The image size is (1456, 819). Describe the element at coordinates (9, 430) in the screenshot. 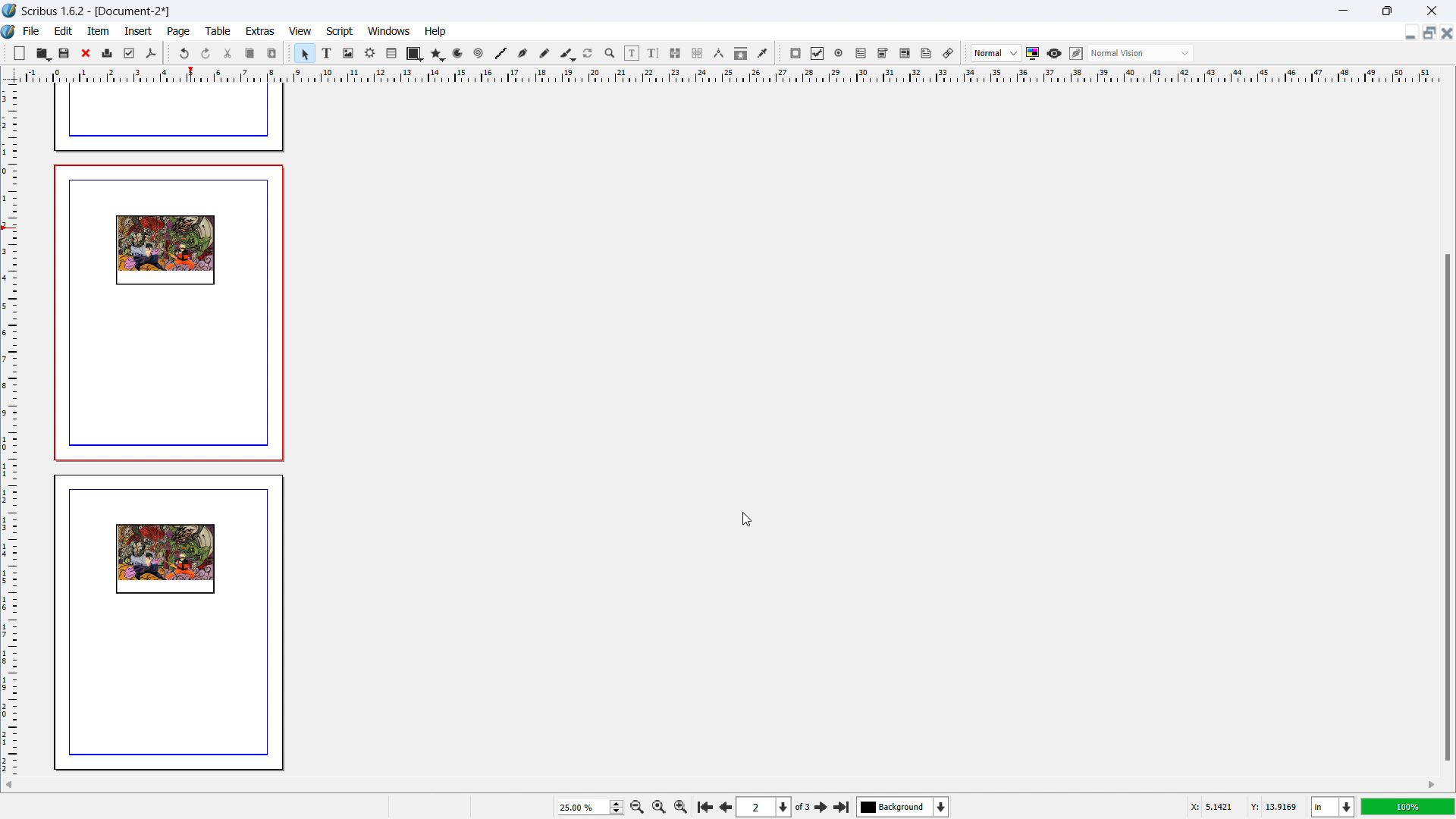

I see `vertical ruler` at that location.